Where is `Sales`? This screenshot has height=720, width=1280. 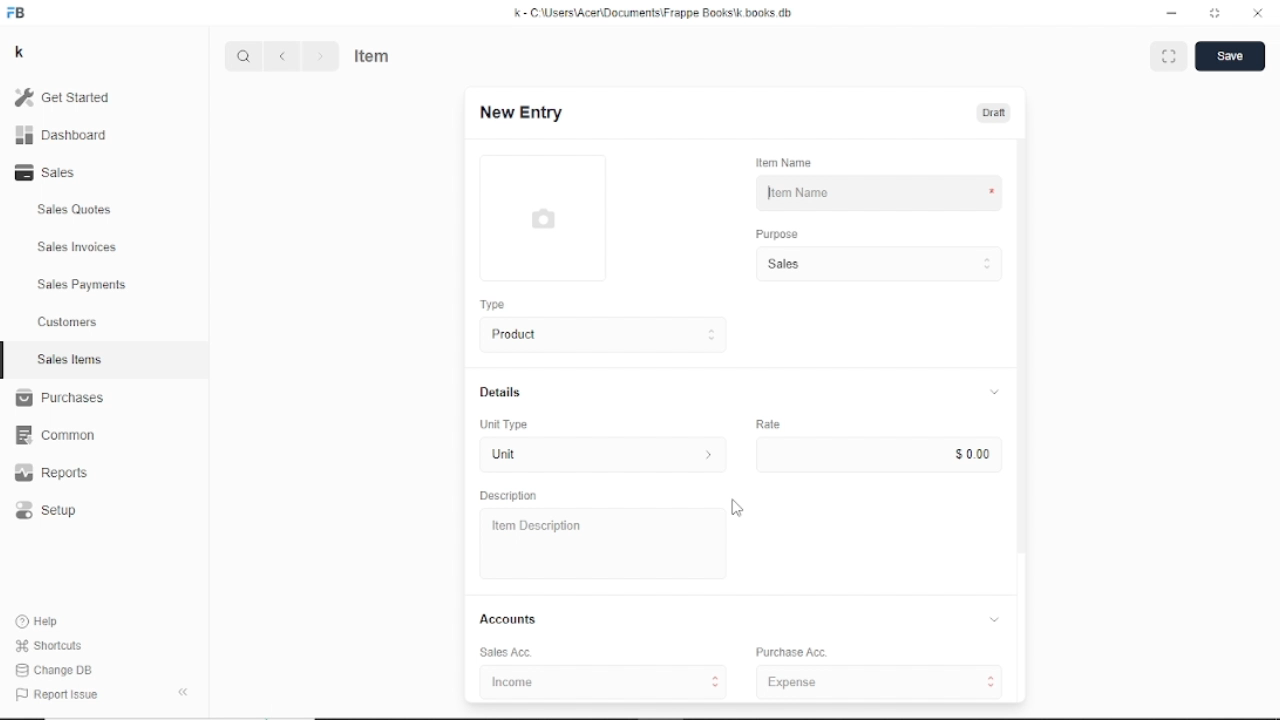 Sales is located at coordinates (51, 172).